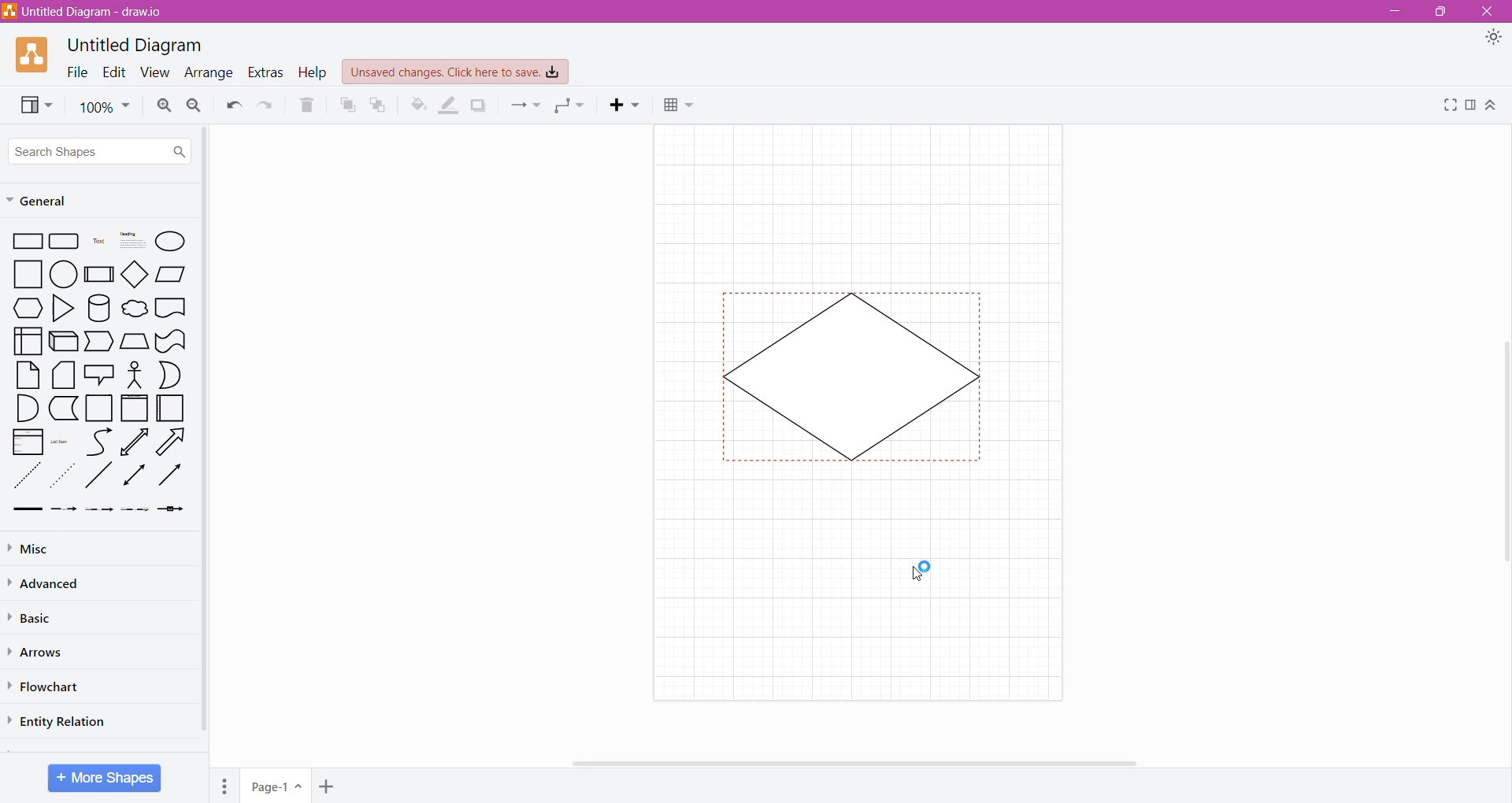  What do you see at coordinates (858, 381) in the screenshot?
I see `Shape Lock Frame` at bounding box center [858, 381].